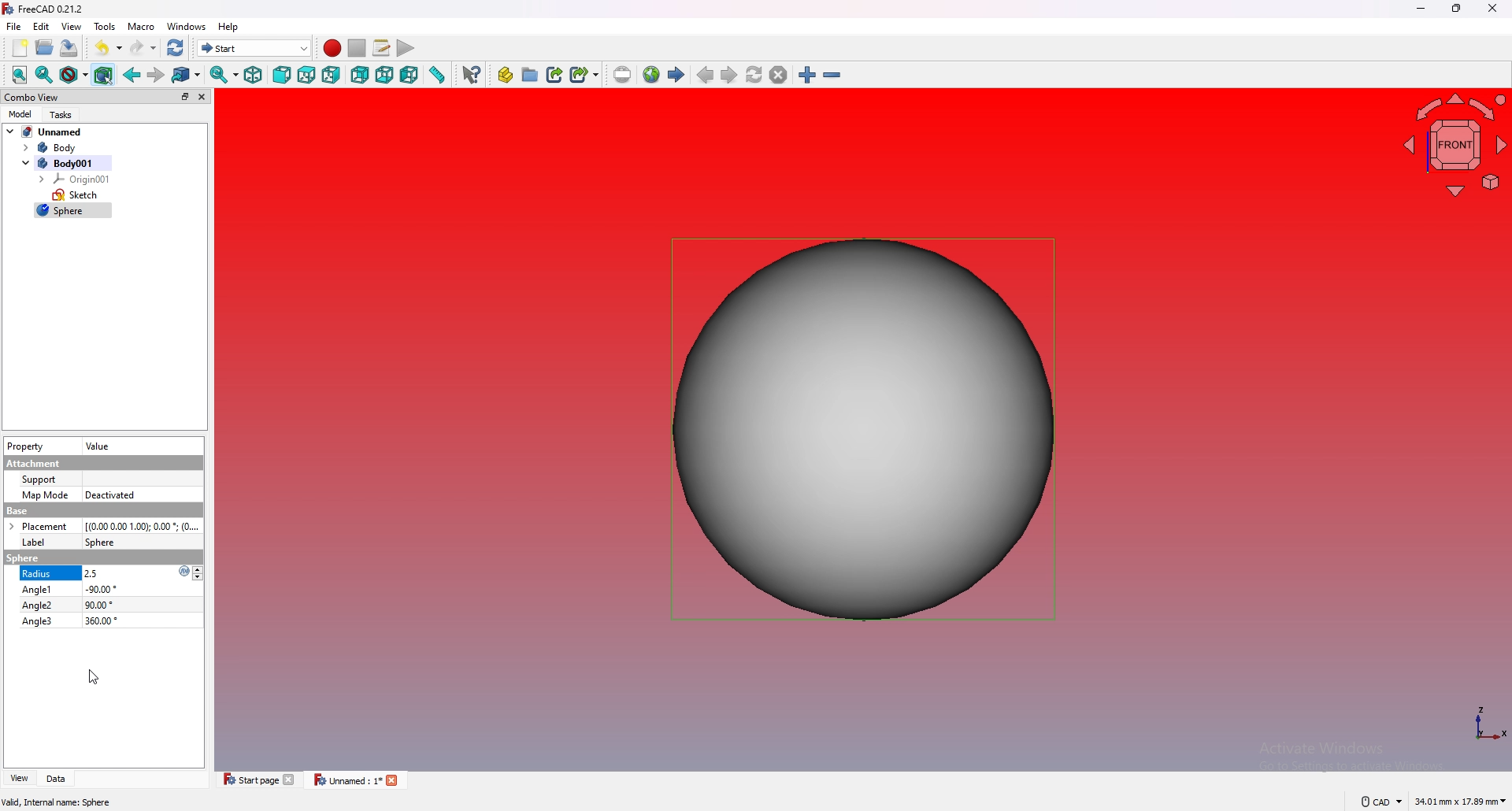 This screenshot has width=1512, height=811. I want to click on navigating cube, so click(1452, 143).